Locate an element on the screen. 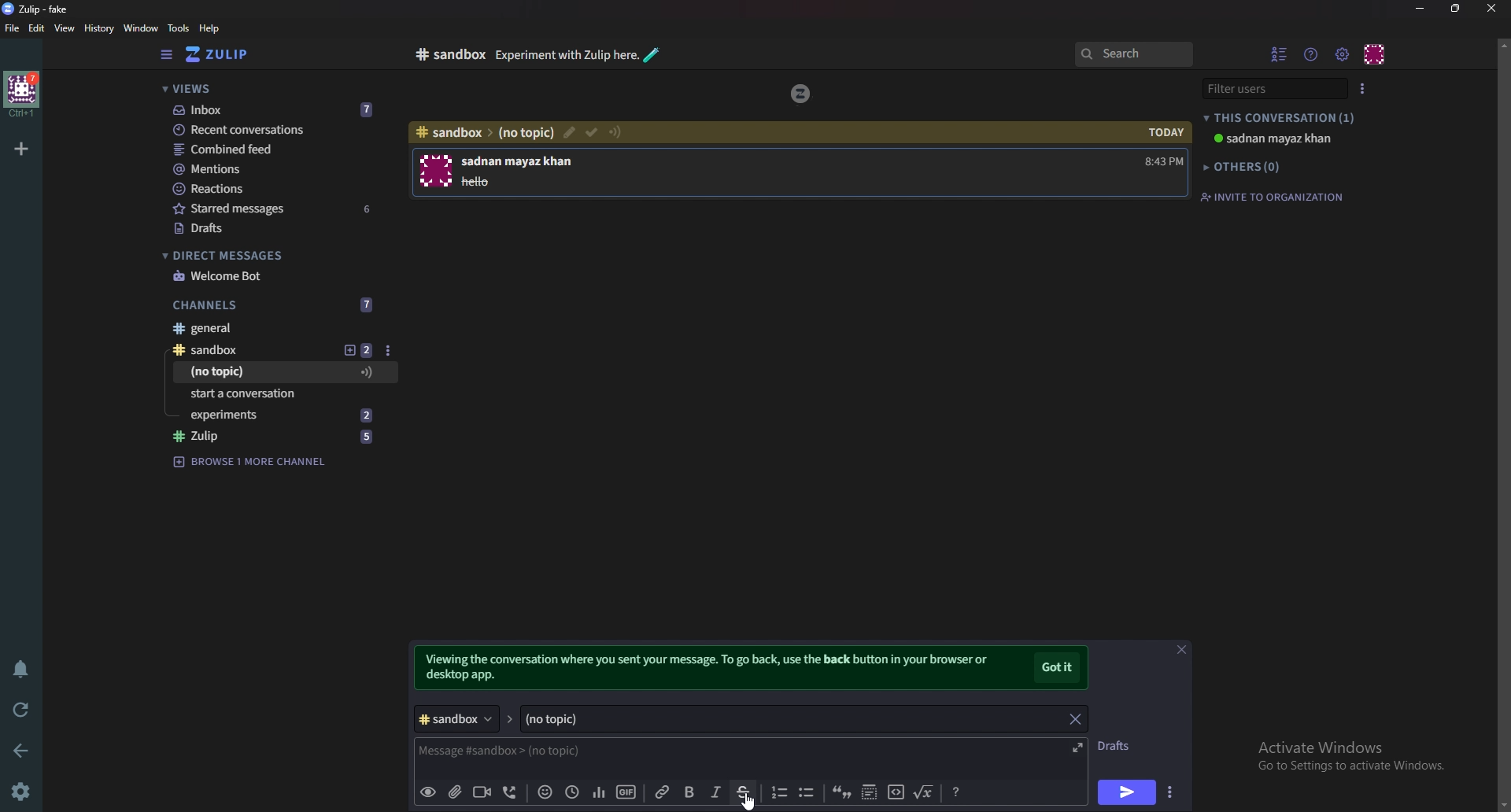  poll is located at coordinates (600, 792).